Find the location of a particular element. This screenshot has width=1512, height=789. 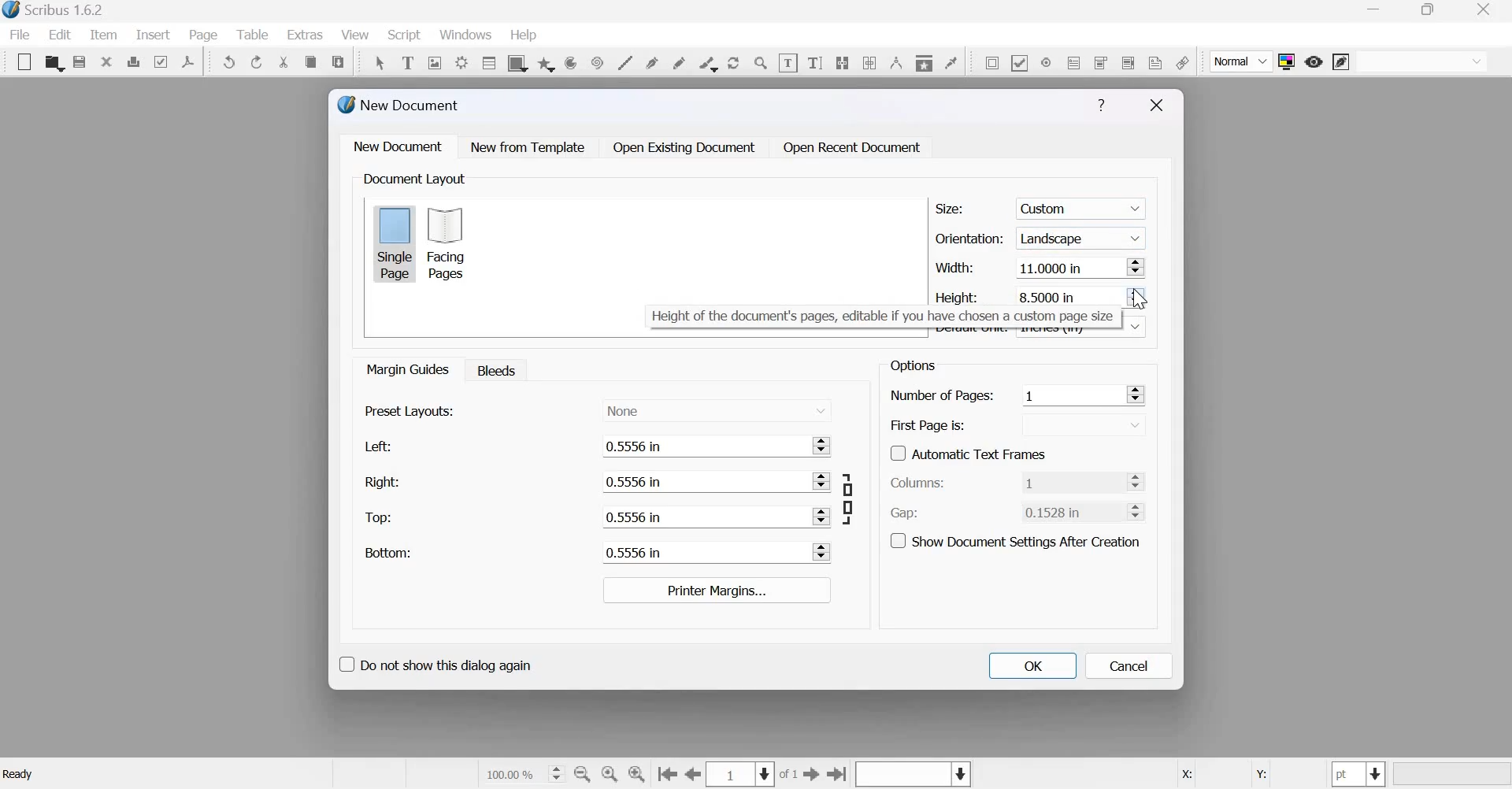

zoom out by the stepping values in tool preferences is located at coordinates (584, 774).